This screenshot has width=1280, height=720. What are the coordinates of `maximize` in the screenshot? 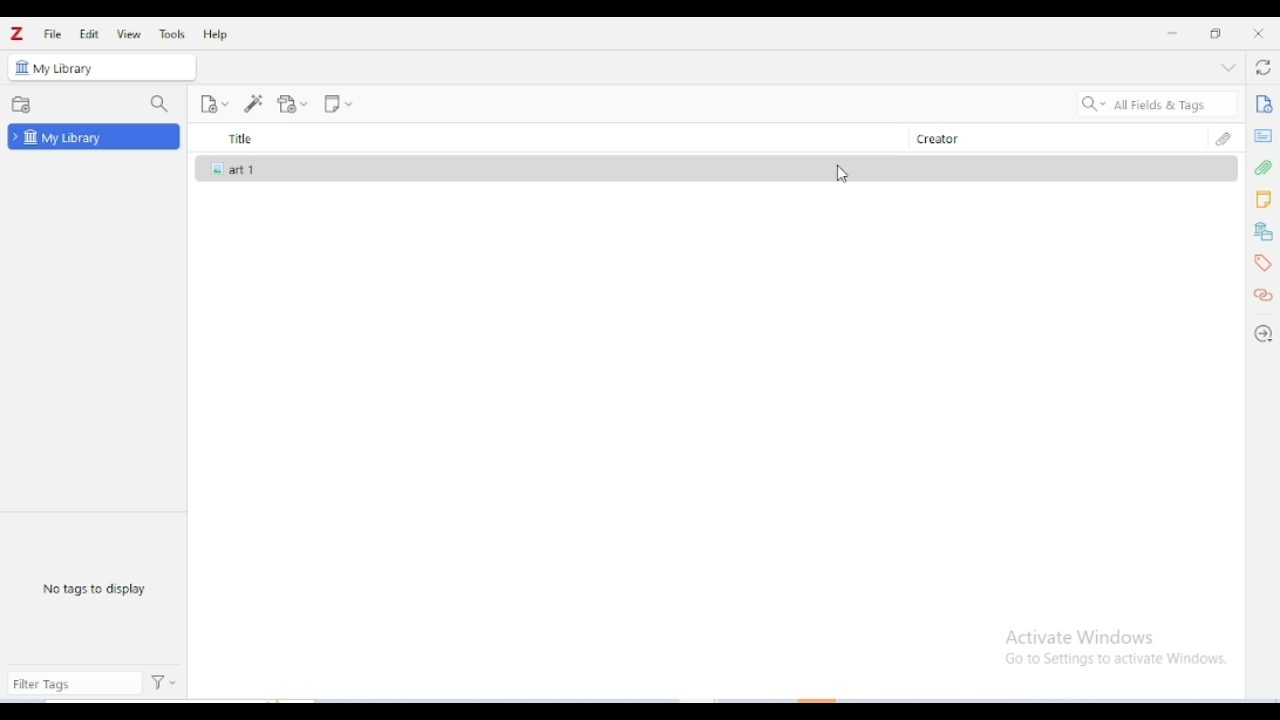 It's located at (1214, 32).